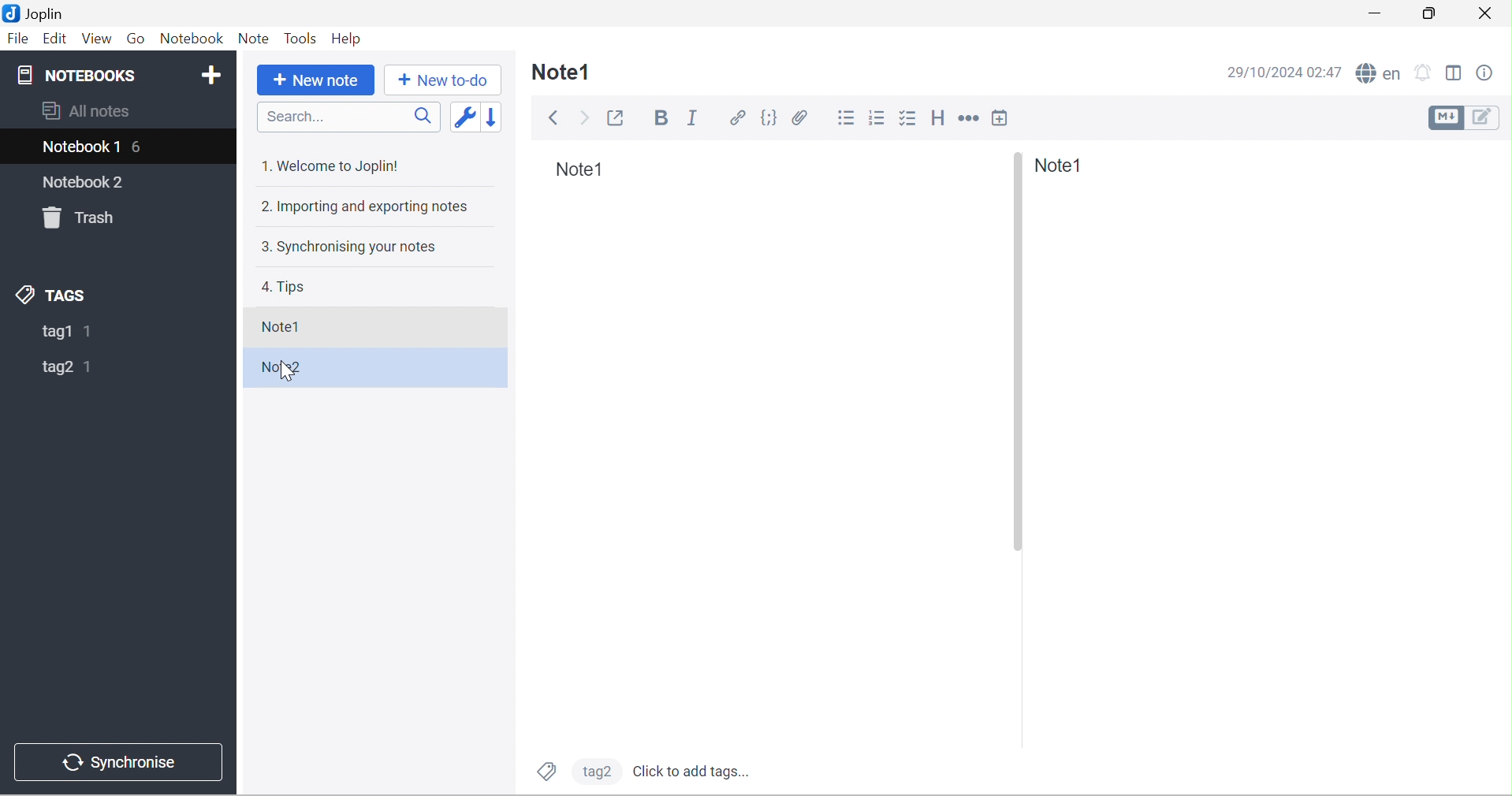  What do you see at coordinates (1484, 73) in the screenshot?
I see `Note properties` at bounding box center [1484, 73].